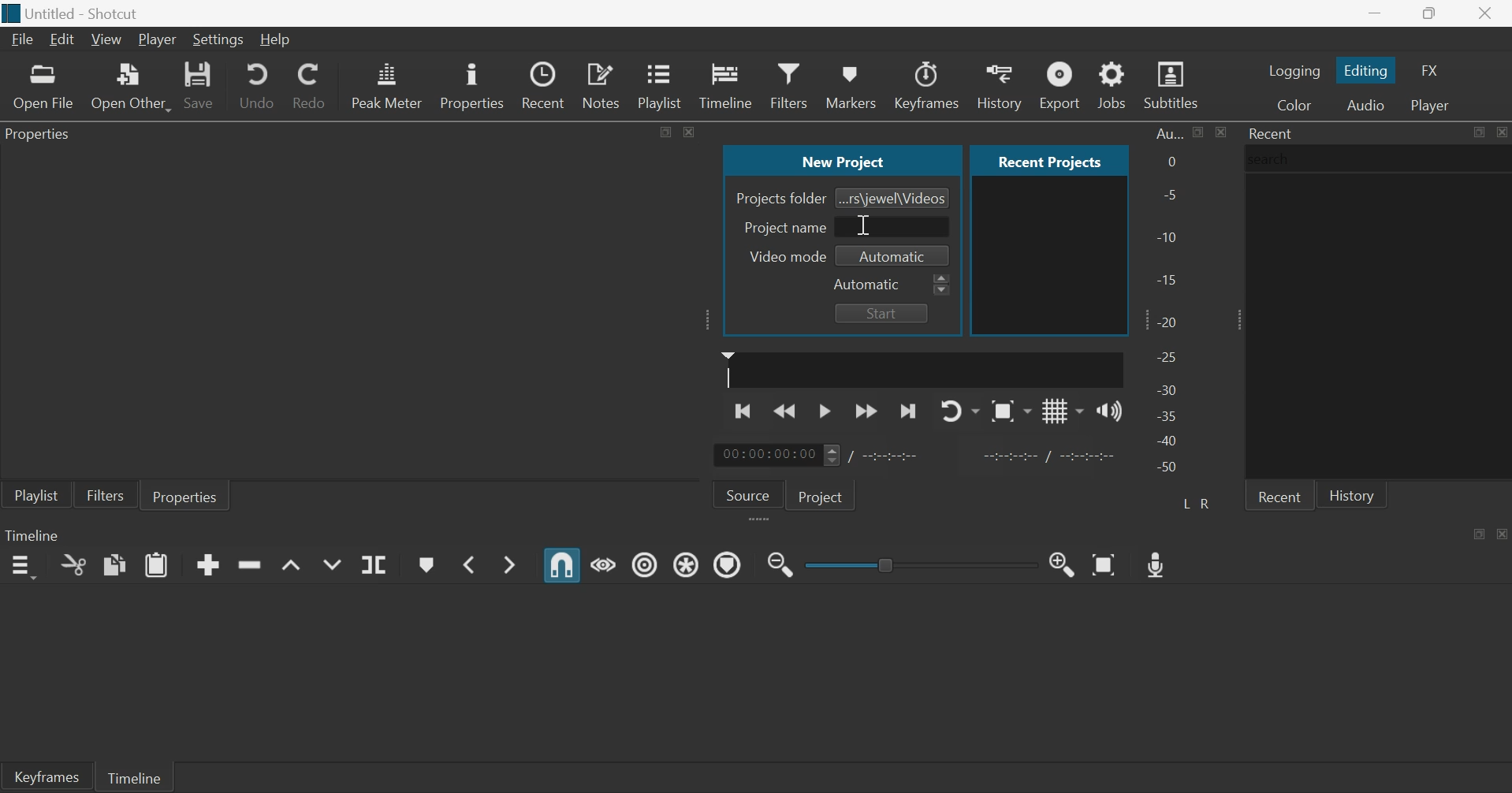  I want to click on Maximize, so click(1478, 132).